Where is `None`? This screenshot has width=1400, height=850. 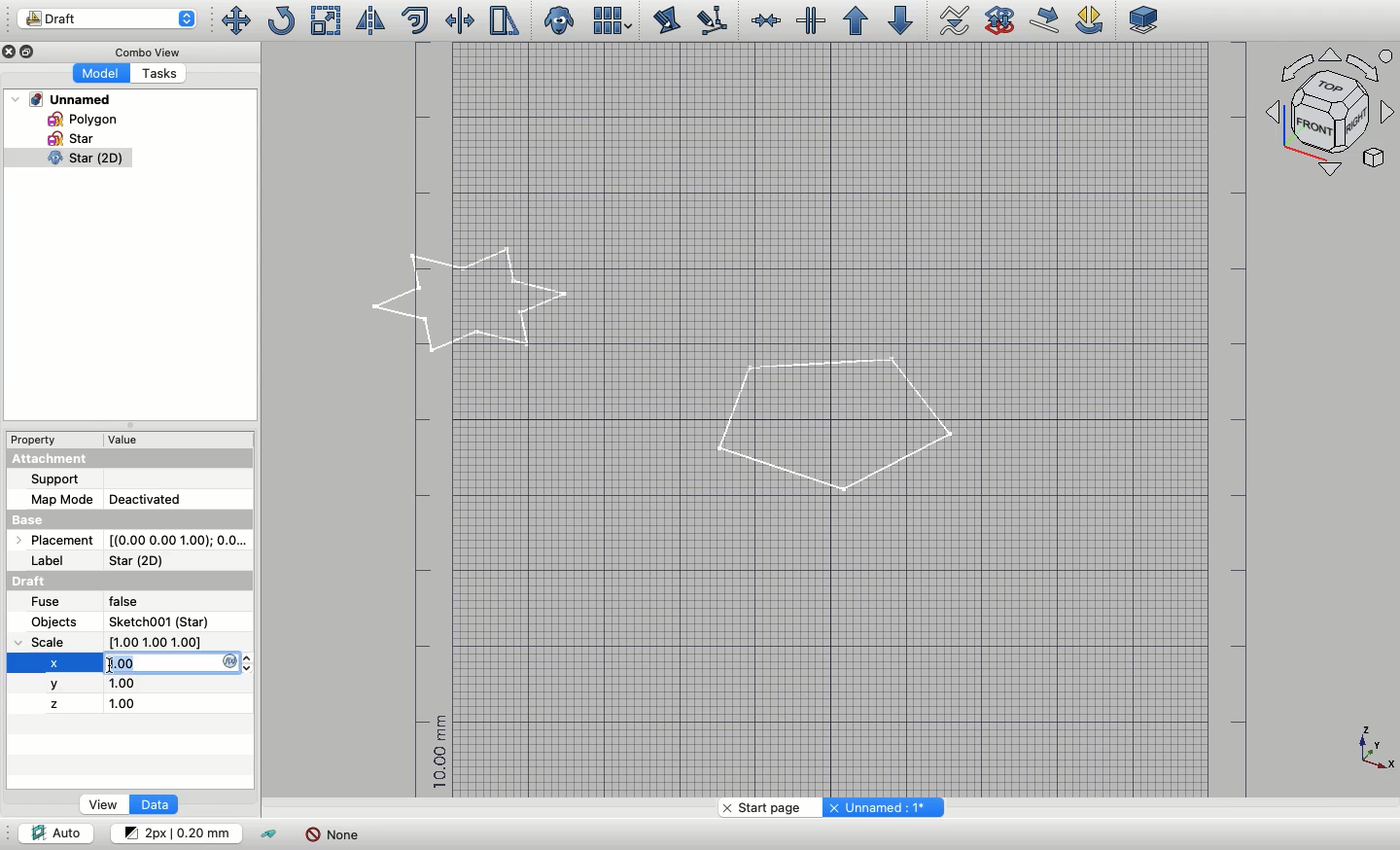 None is located at coordinates (332, 834).